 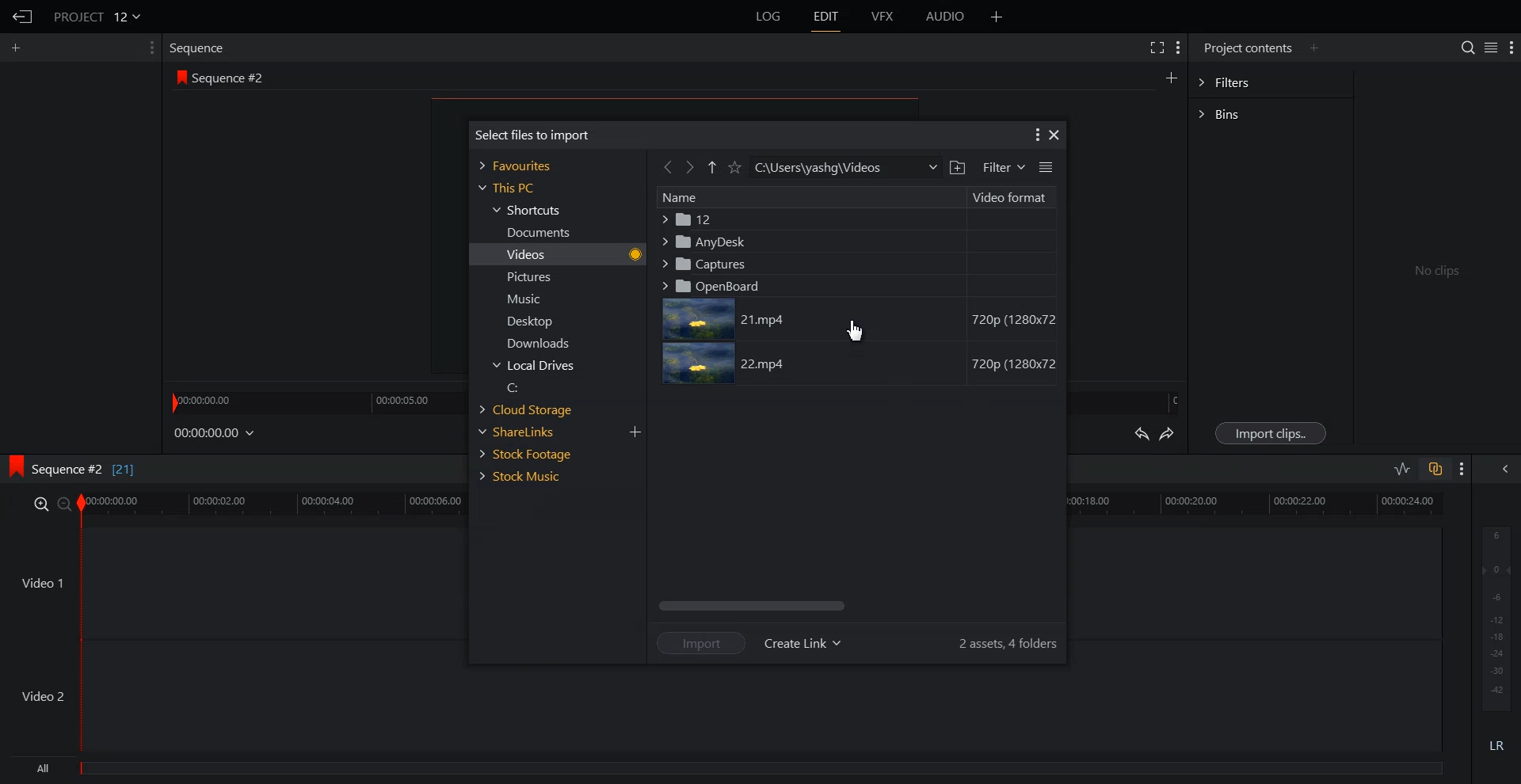 What do you see at coordinates (1494, 618) in the screenshot?
I see `Audio Output level` at bounding box center [1494, 618].